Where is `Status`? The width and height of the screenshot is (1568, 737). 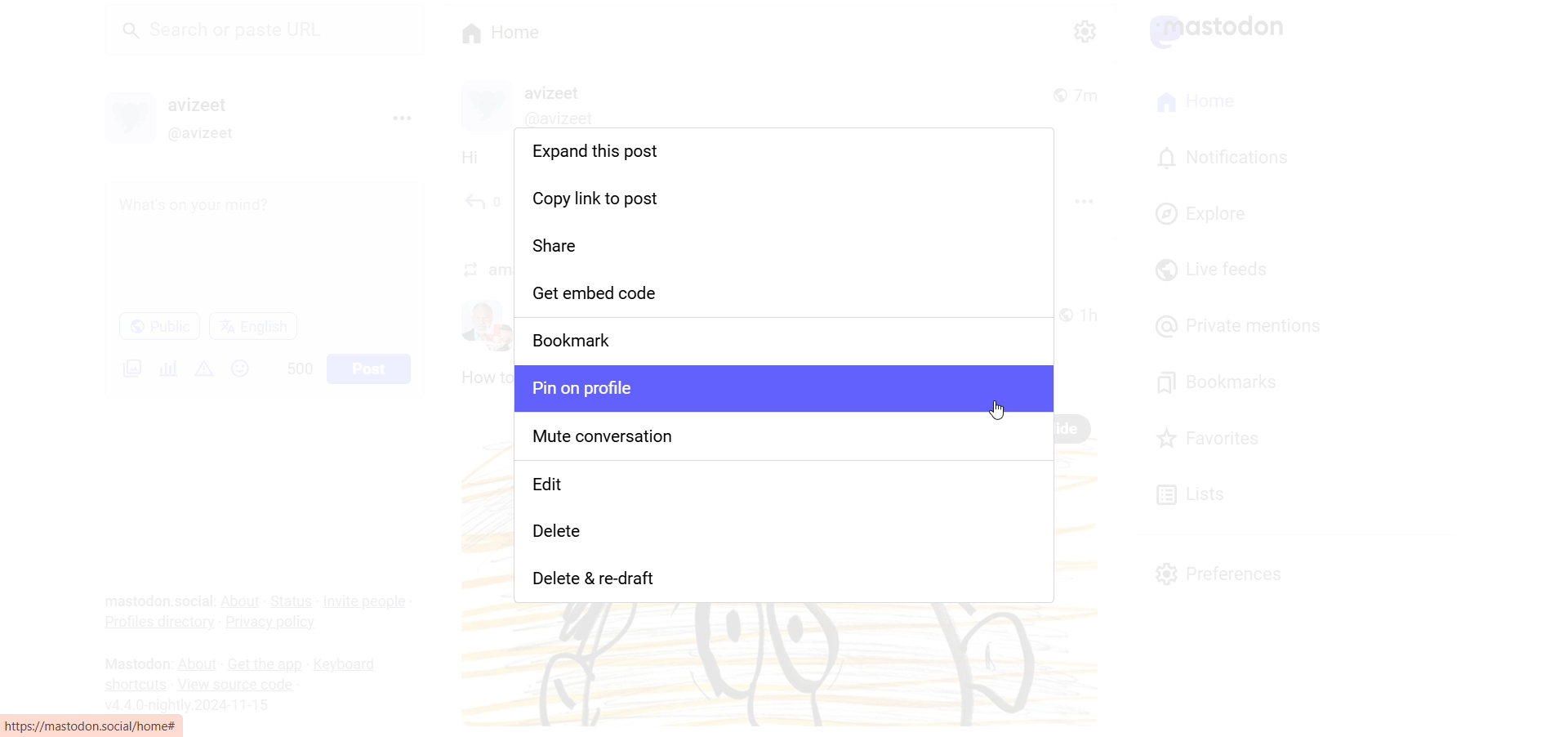 Status is located at coordinates (292, 602).